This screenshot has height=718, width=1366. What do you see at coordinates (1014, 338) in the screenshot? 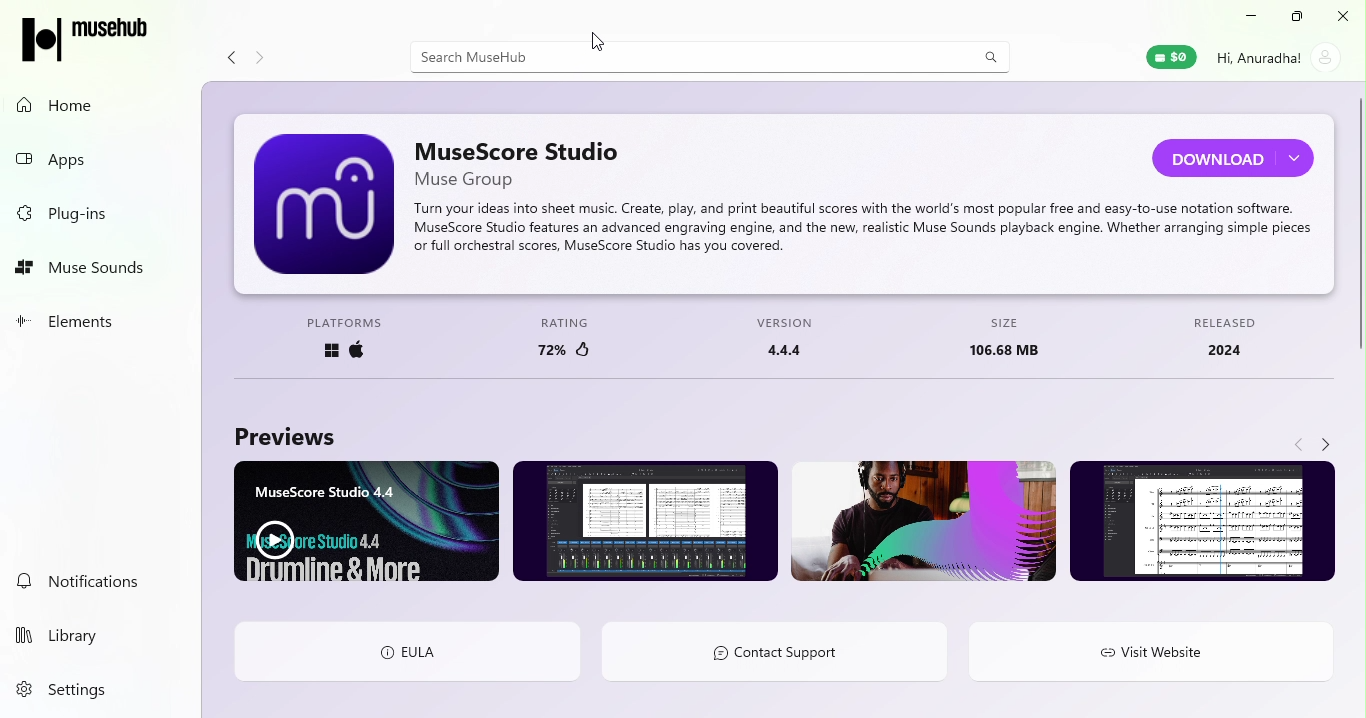
I see `Size` at bounding box center [1014, 338].